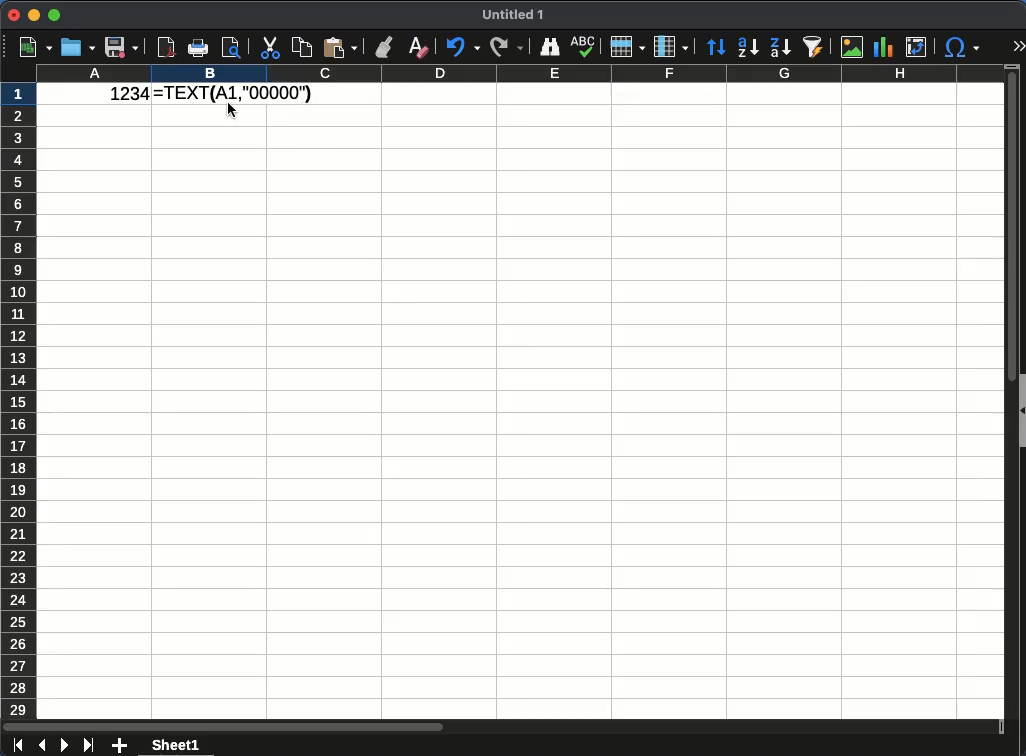  What do you see at coordinates (747, 47) in the screenshot?
I see `ascending` at bounding box center [747, 47].